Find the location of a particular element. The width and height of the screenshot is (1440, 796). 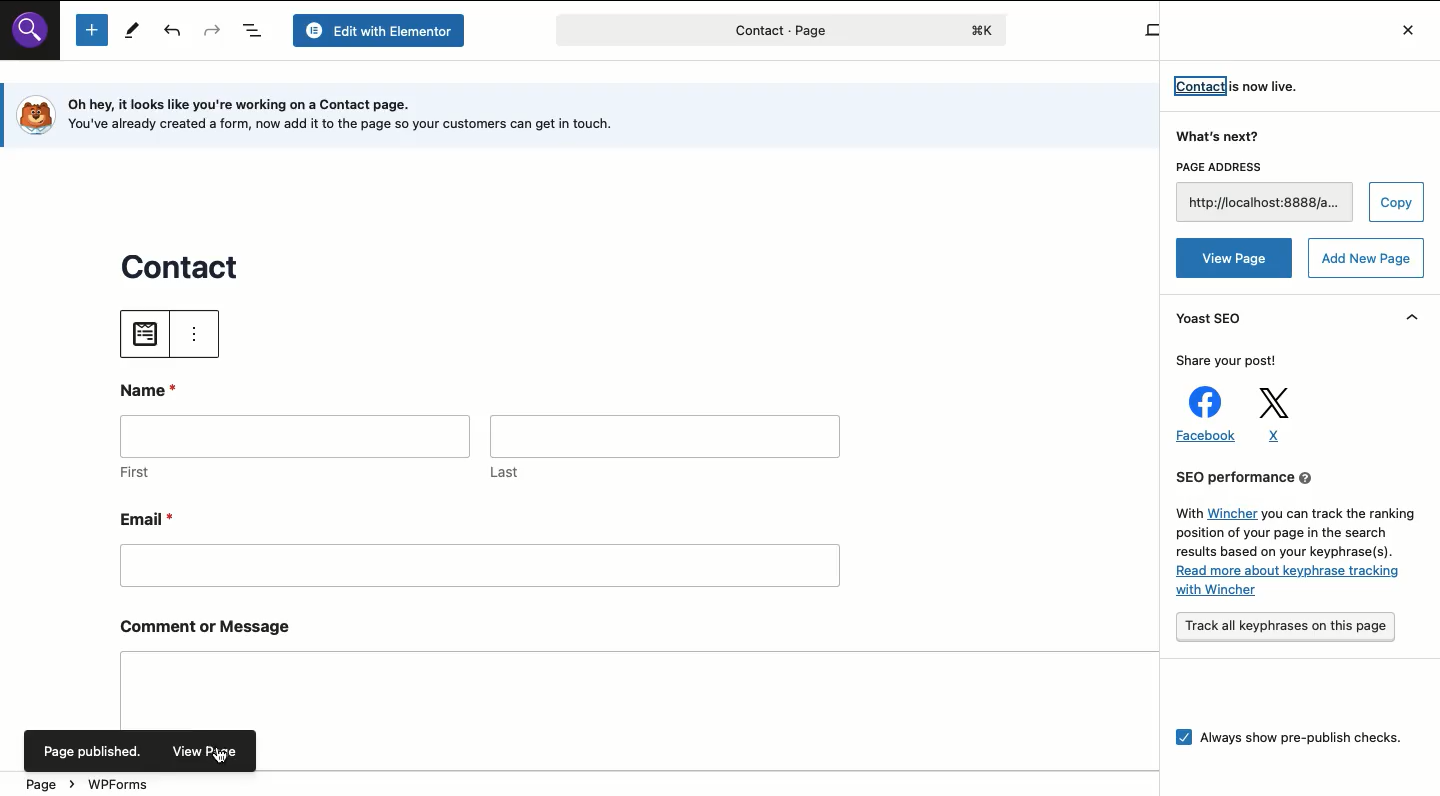

SEO performance @

With Wincher you can track the ranking
position of your page in the search
results based on your keyphrase(s).
Read more about keyphrase tracking
with Wincher is located at coordinates (1291, 536).